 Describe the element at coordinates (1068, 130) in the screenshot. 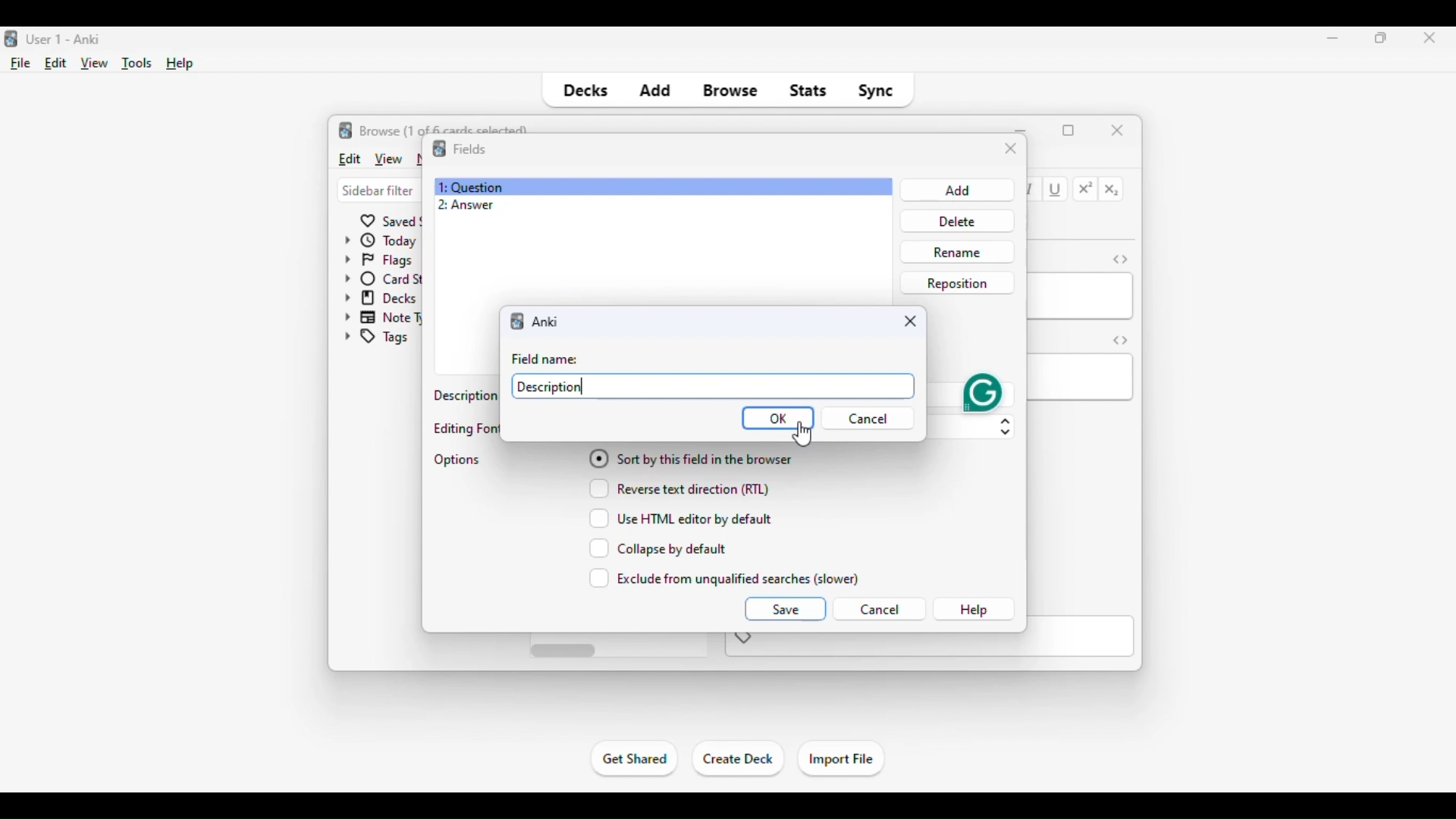

I see `maximize` at that location.